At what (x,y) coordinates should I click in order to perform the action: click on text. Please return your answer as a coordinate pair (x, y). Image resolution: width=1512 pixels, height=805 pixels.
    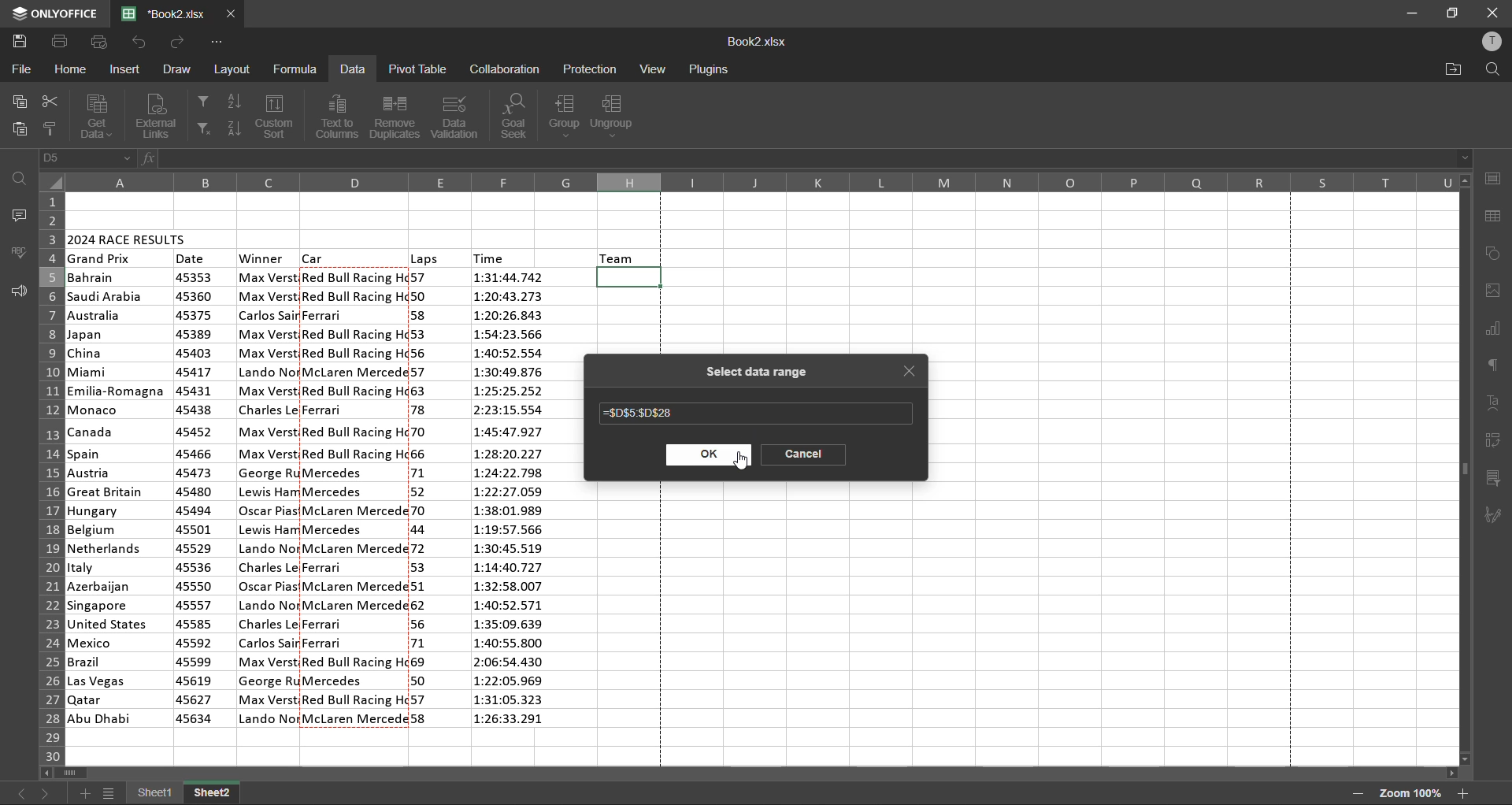
    Looking at the image, I should click on (1495, 403).